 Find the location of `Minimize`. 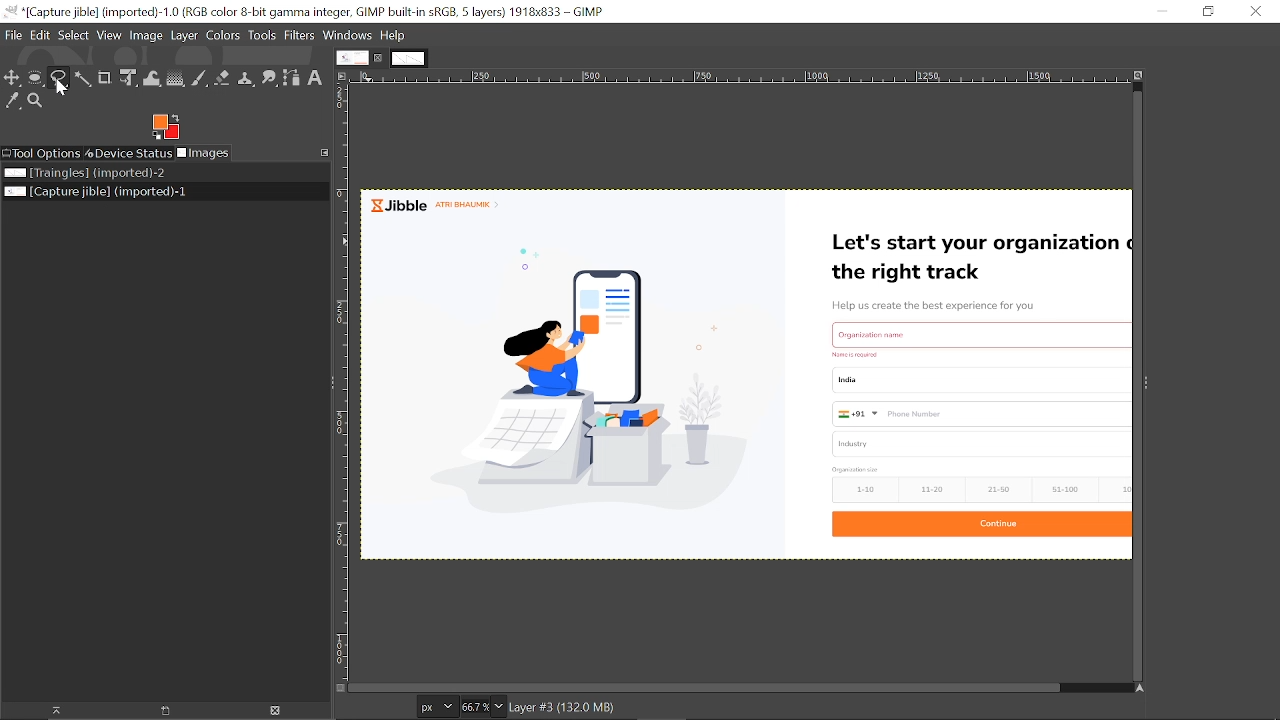

Minimize is located at coordinates (1161, 11).